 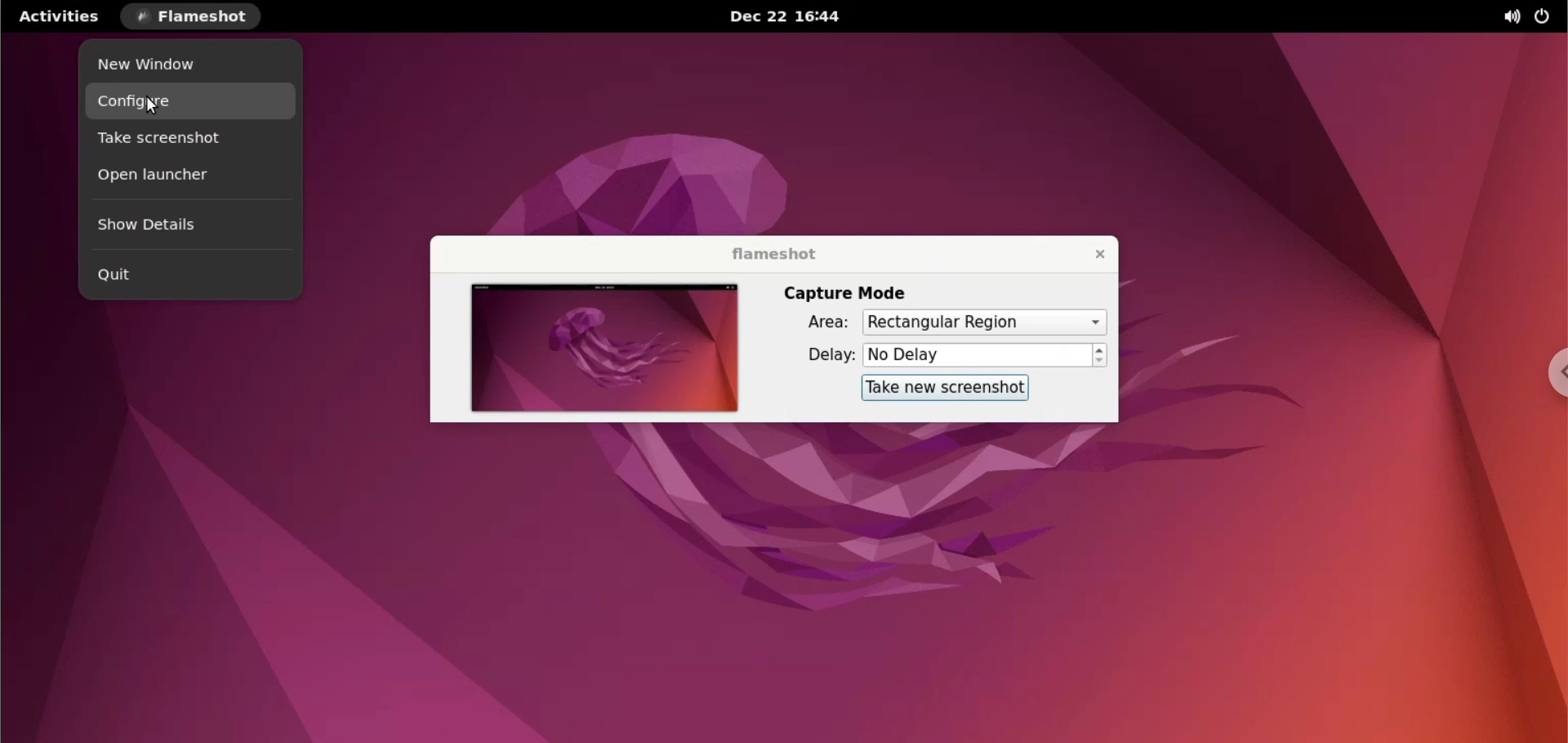 I want to click on flameshot , so click(x=771, y=252).